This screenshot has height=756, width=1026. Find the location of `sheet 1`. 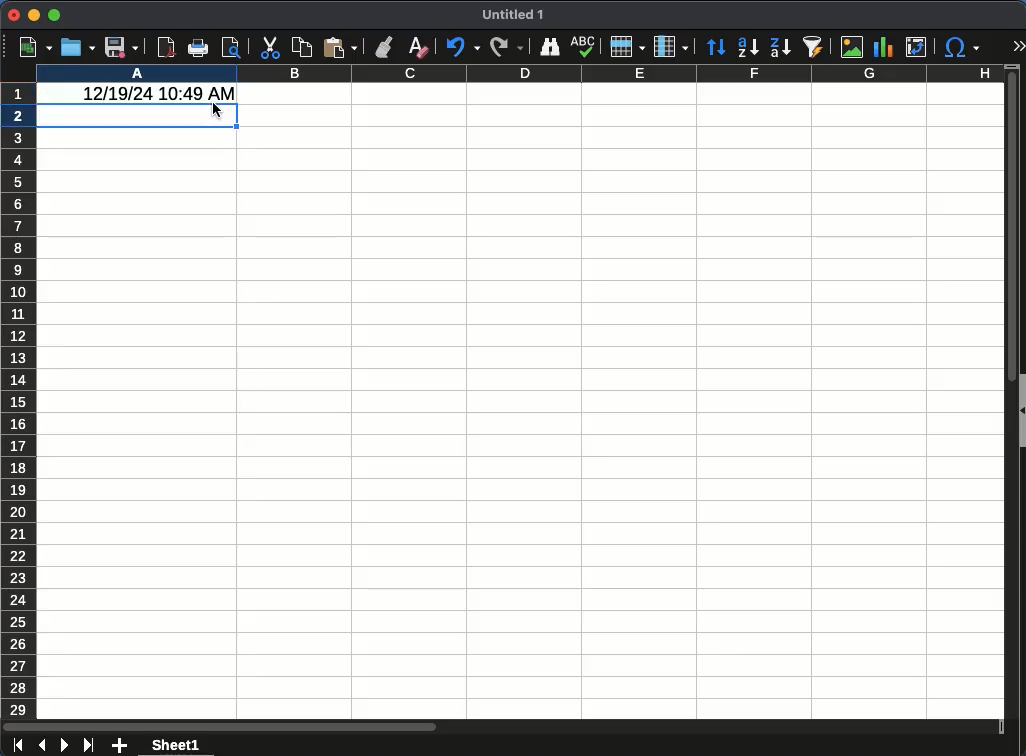

sheet 1 is located at coordinates (175, 745).